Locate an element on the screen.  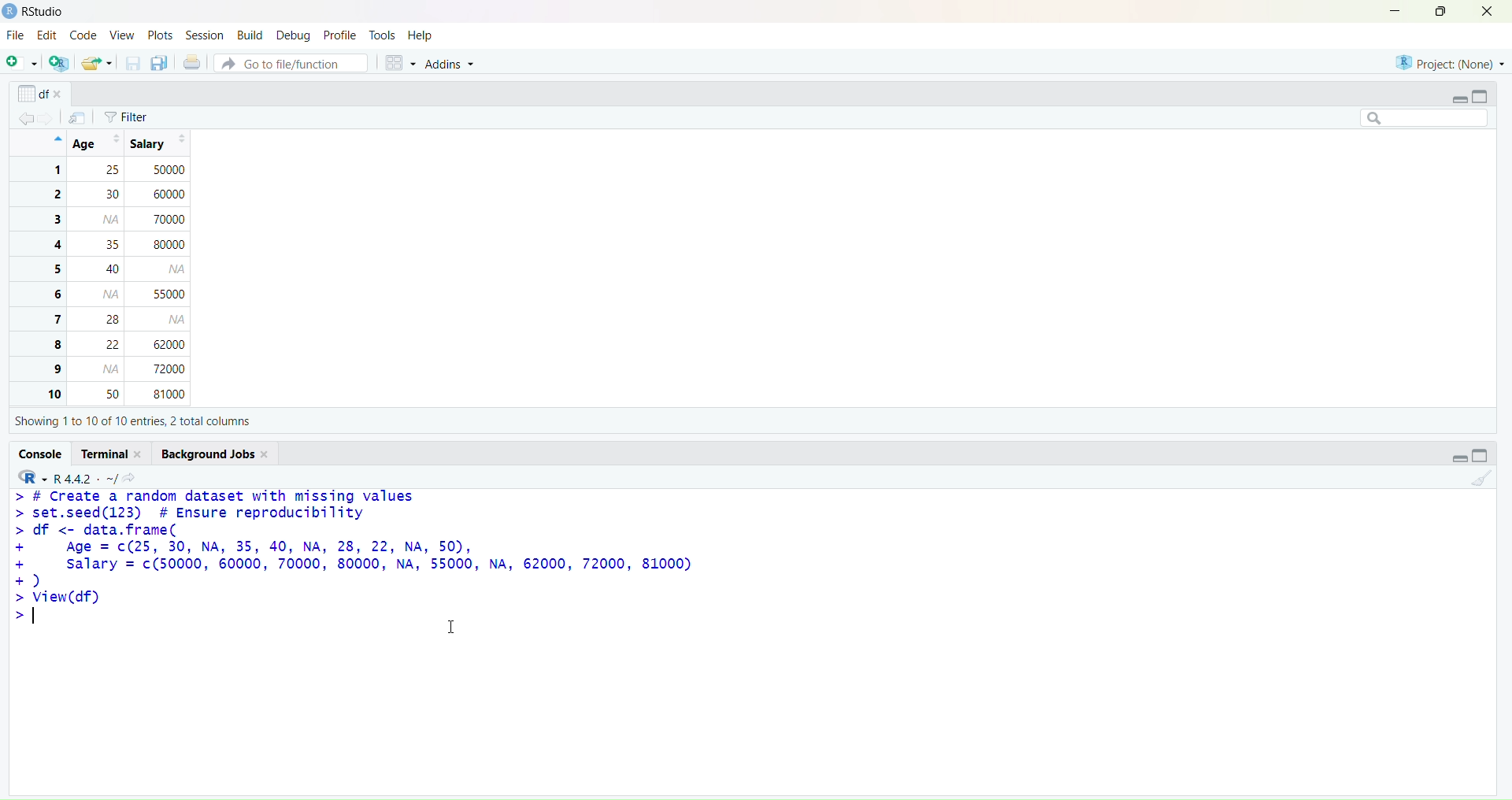
session is located at coordinates (206, 36).